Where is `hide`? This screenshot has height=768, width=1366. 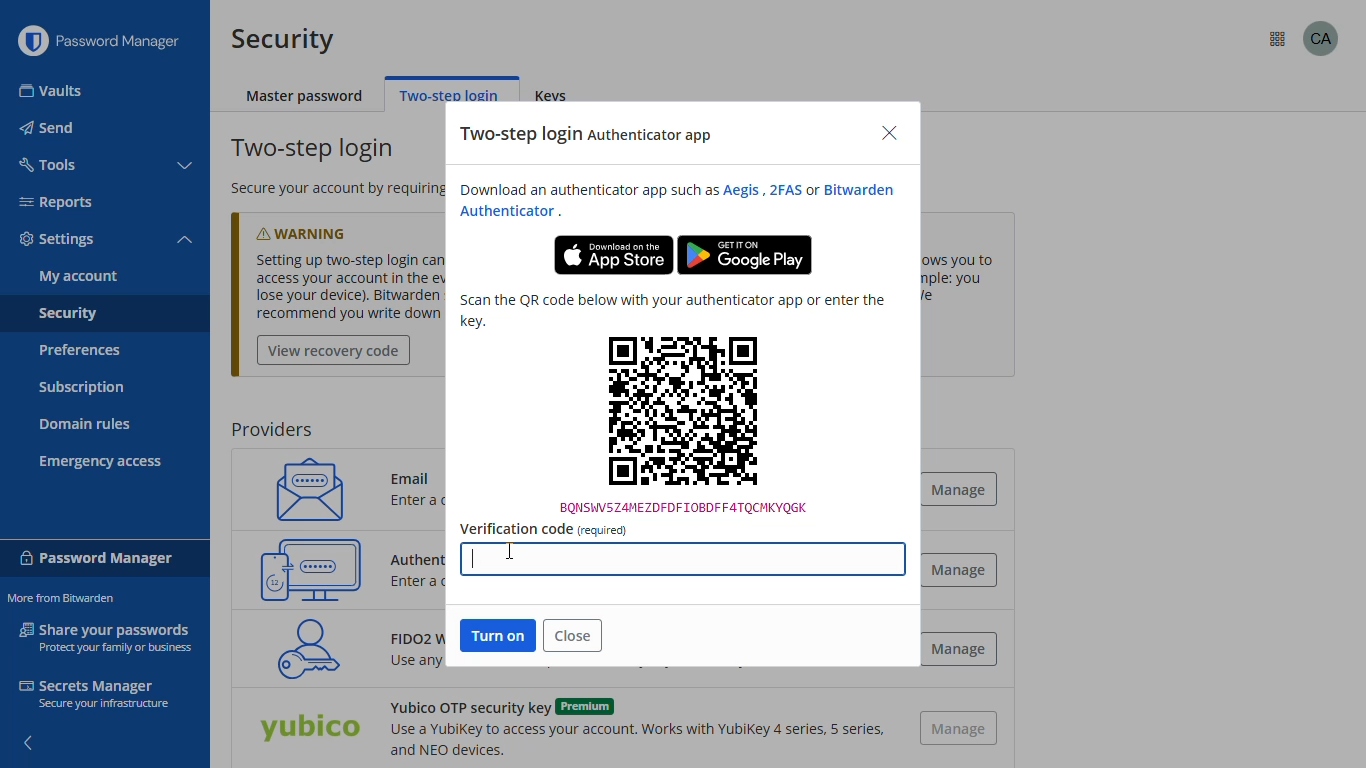
hide is located at coordinates (26, 737).